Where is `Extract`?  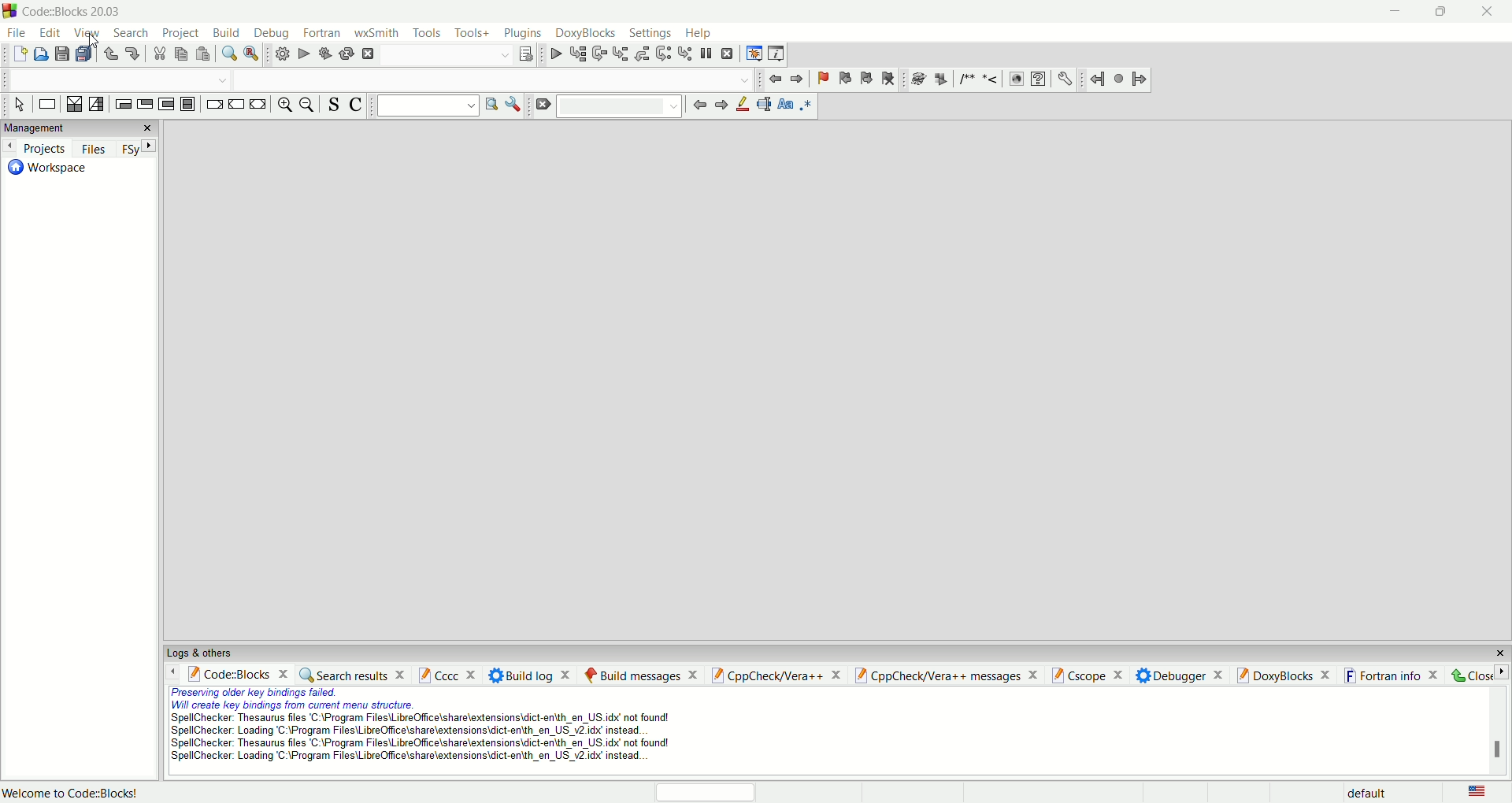 Extract is located at coordinates (937, 76).